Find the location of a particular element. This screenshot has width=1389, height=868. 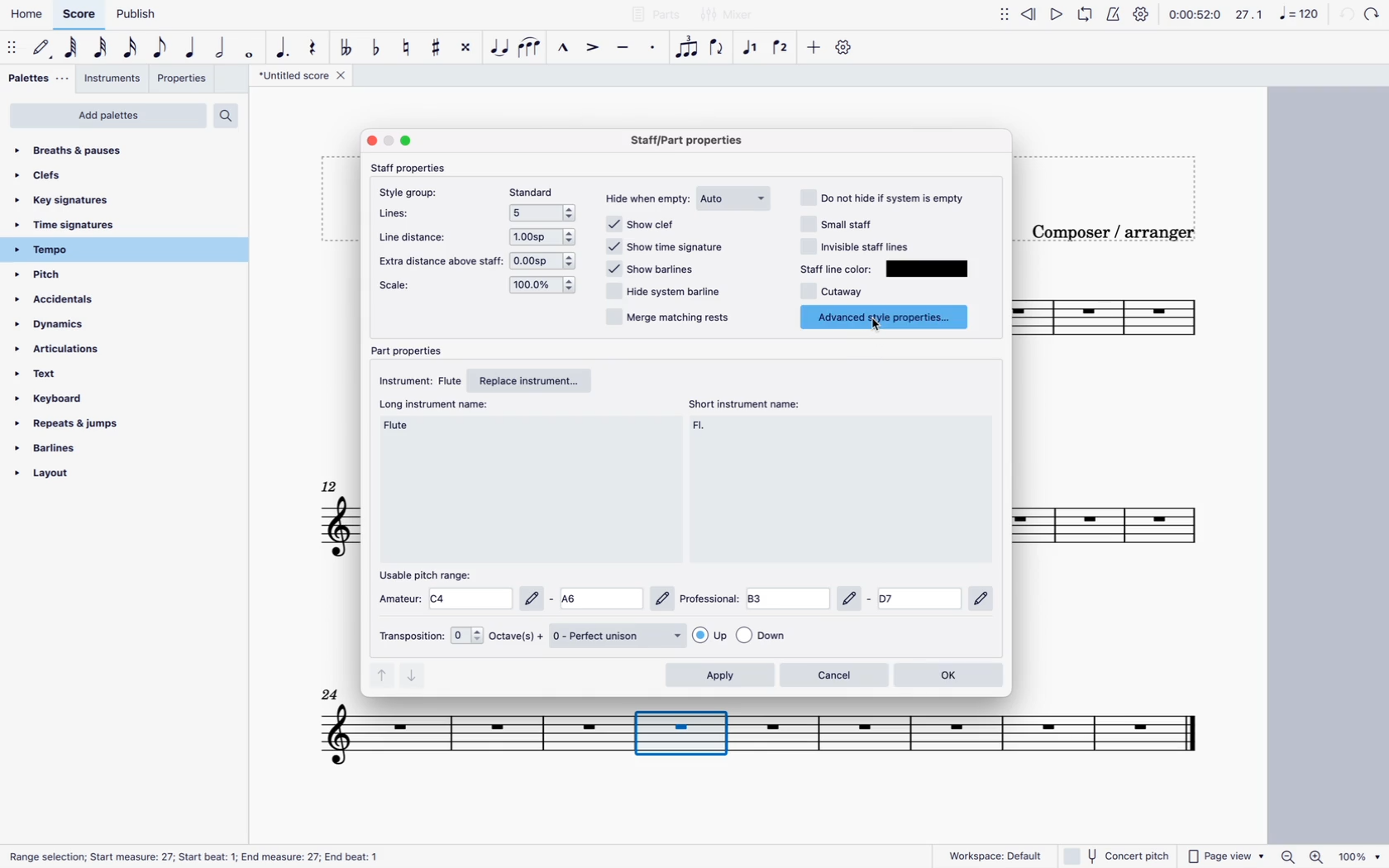

breaths & pauses is located at coordinates (73, 151).